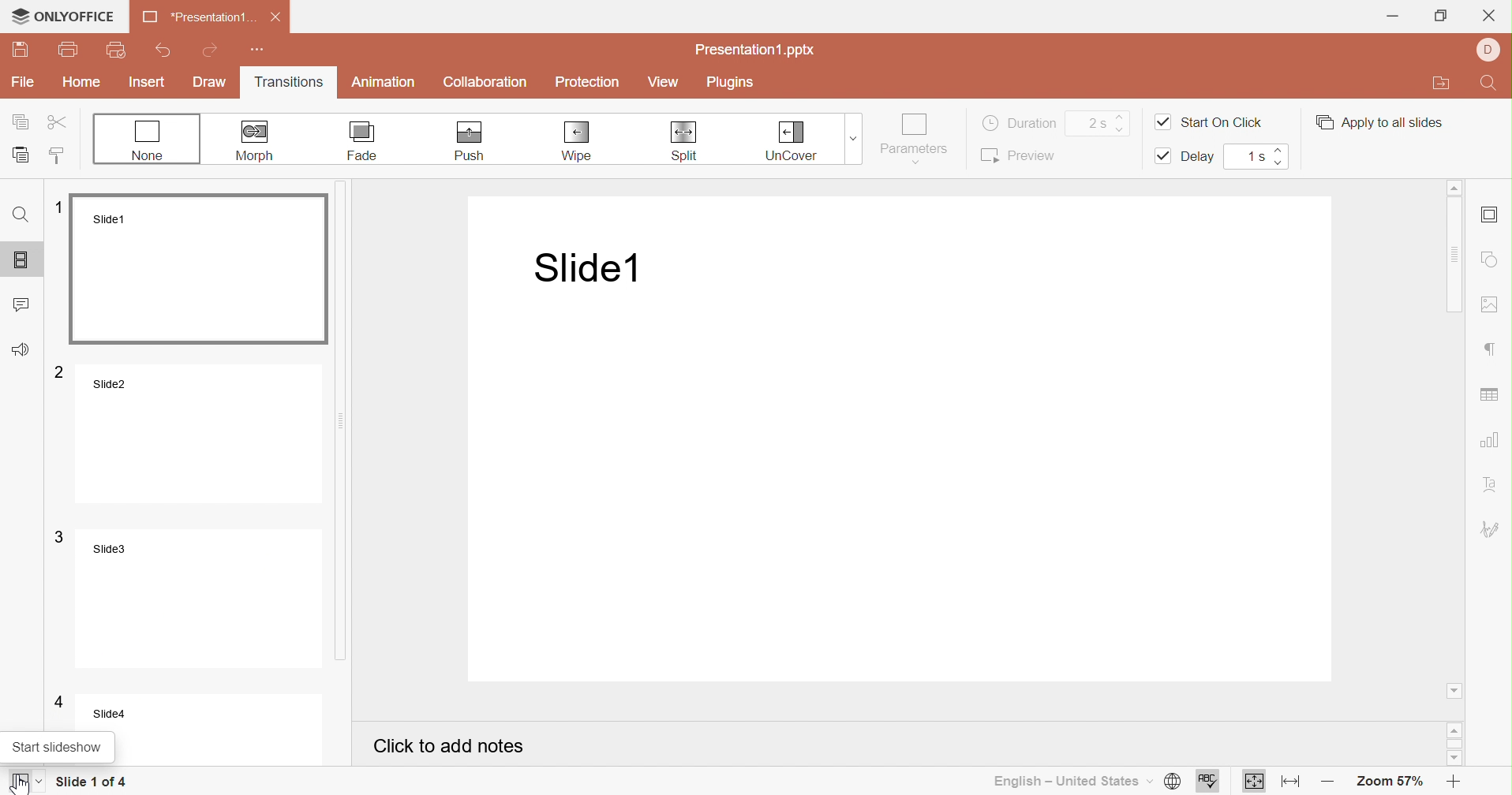 The image size is (1512, 795). What do you see at coordinates (1287, 782) in the screenshot?
I see `Fit to width` at bounding box center [1287, 782].